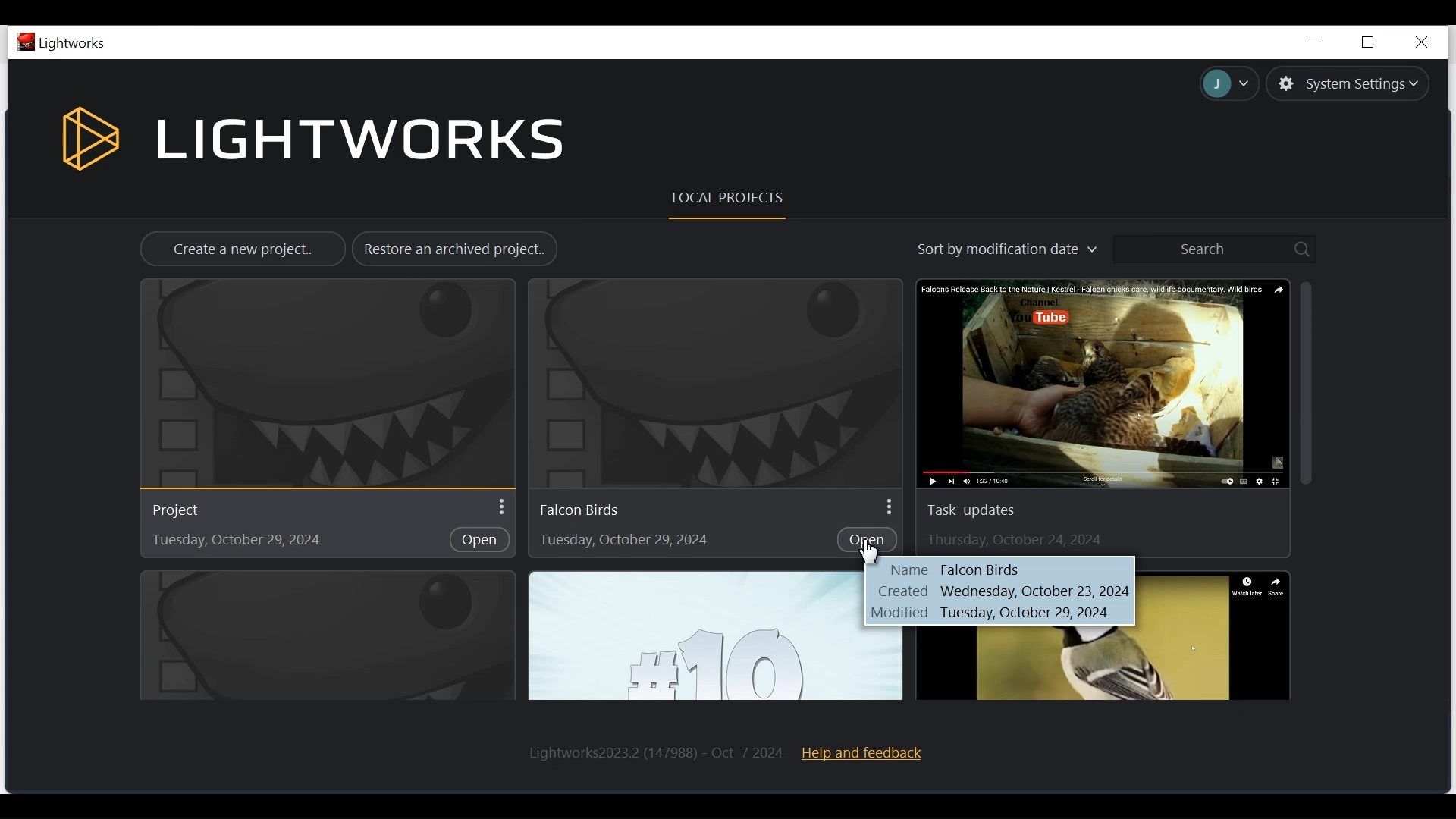  Describe the element at coordinates (698, 635) in the screenshot. I see `image` at that location.